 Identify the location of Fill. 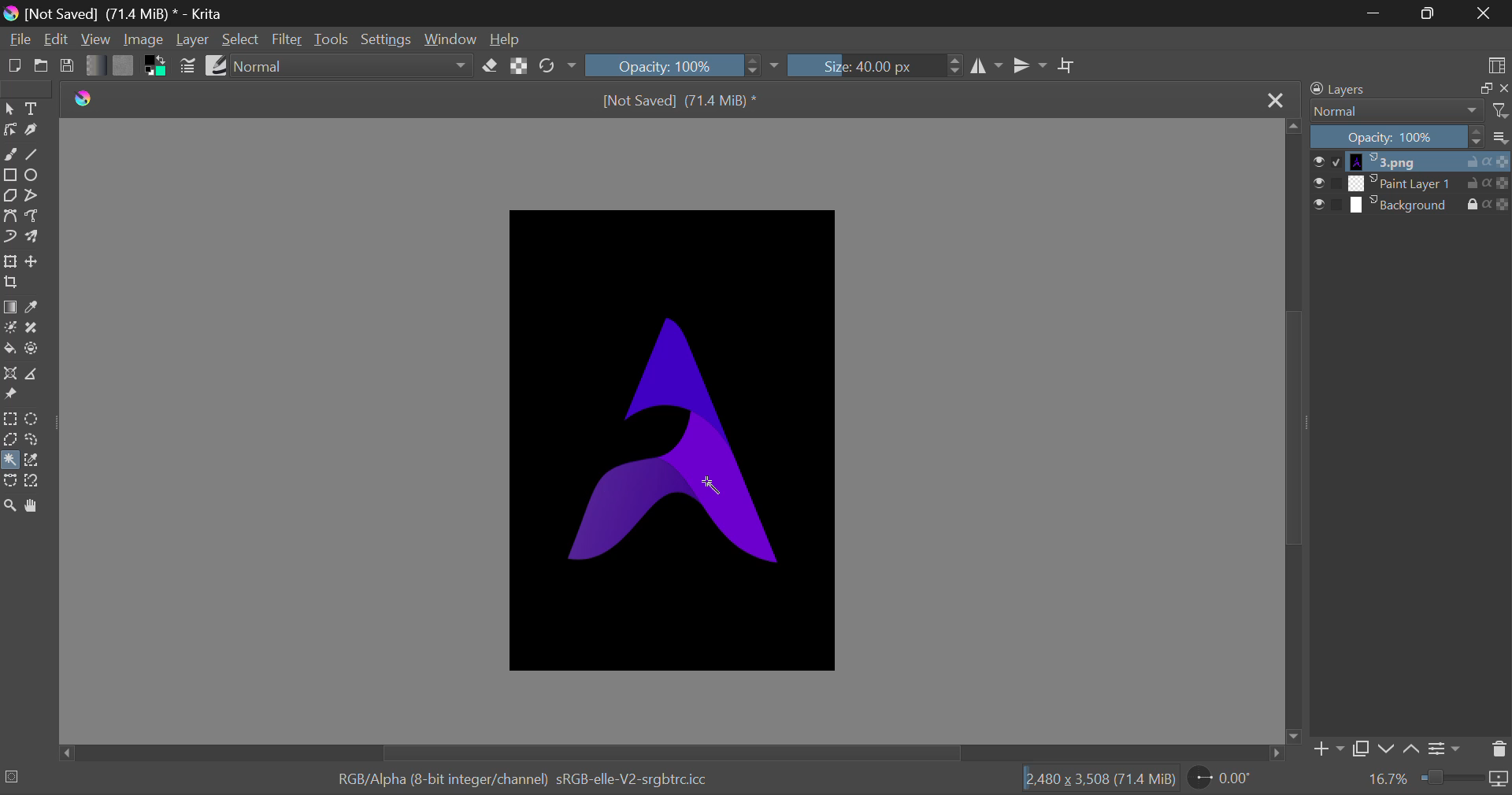
(10, 352).